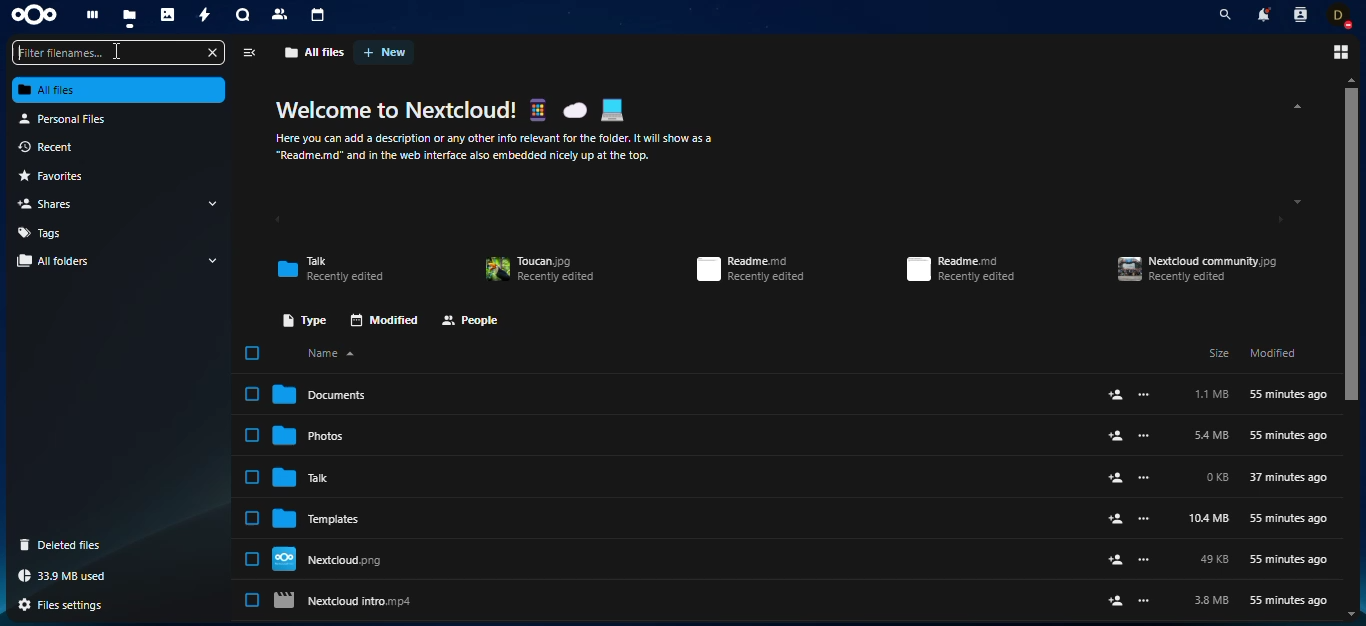 Image resolution: width=1366 pixels, height=626 pixels. I want to click on files, so click(130, 17).